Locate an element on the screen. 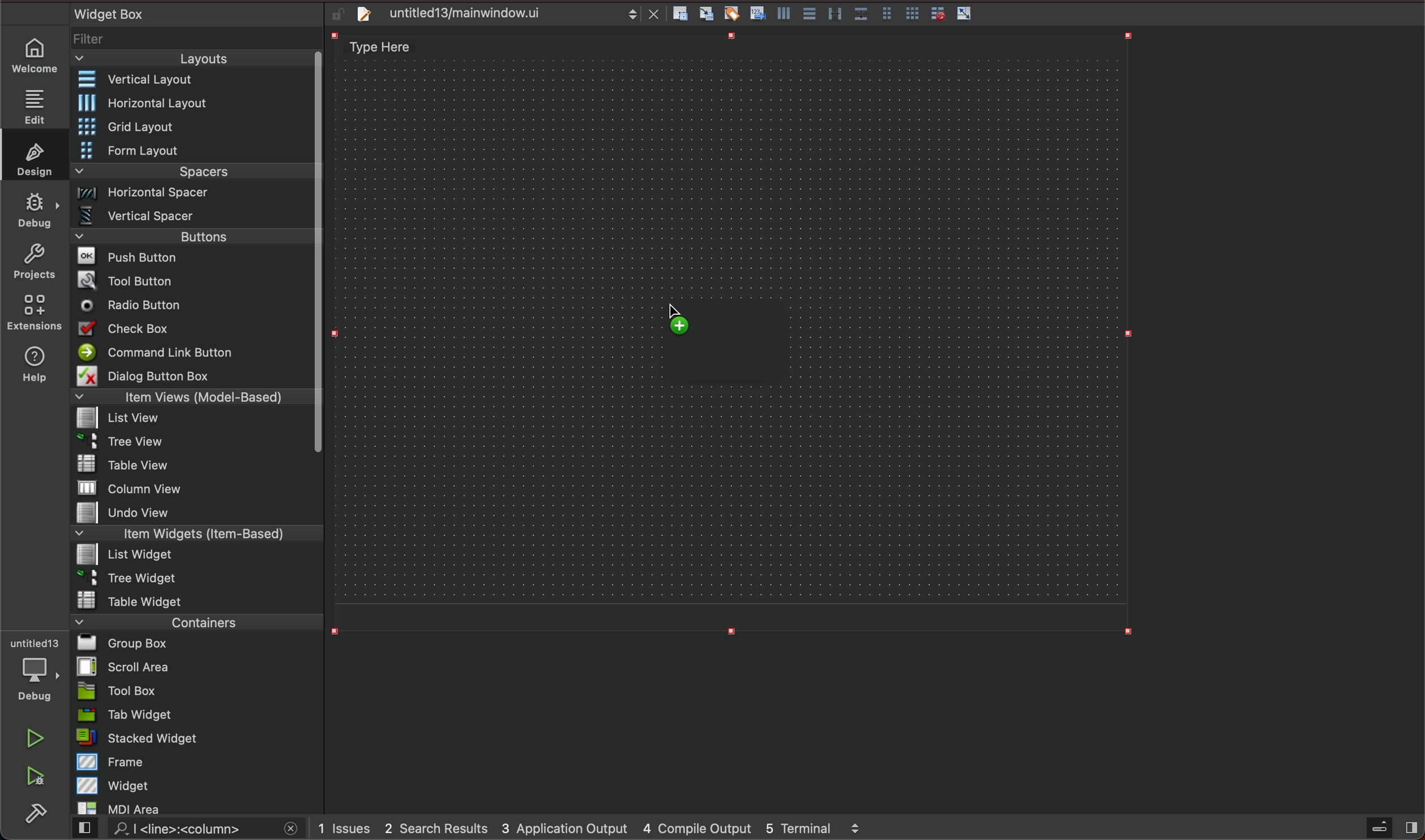 This screenshot has width=1425, height=840. search is located at coordinates (189, 830).